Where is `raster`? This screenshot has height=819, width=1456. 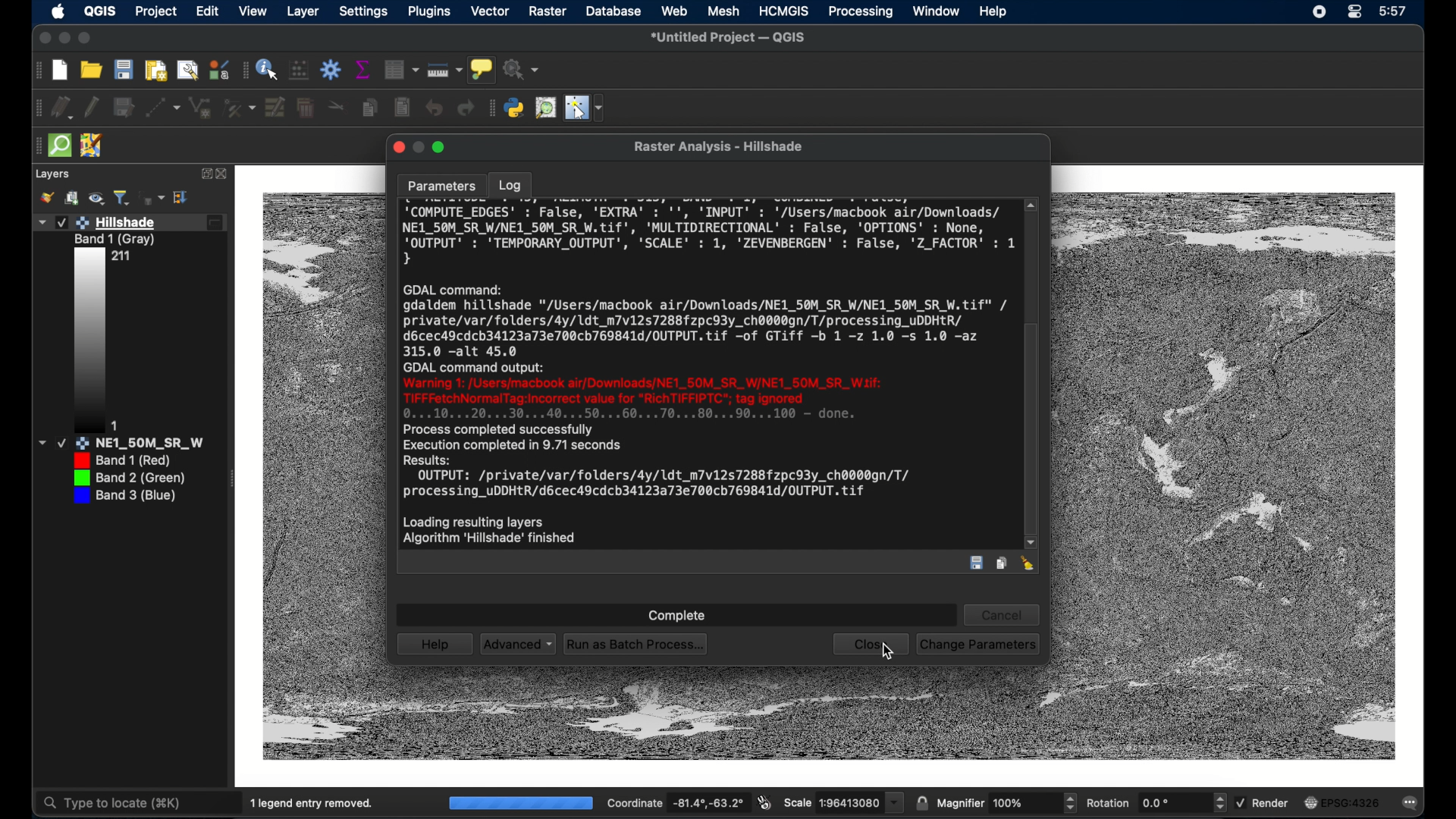
raster is located at coordinates (548, 11).